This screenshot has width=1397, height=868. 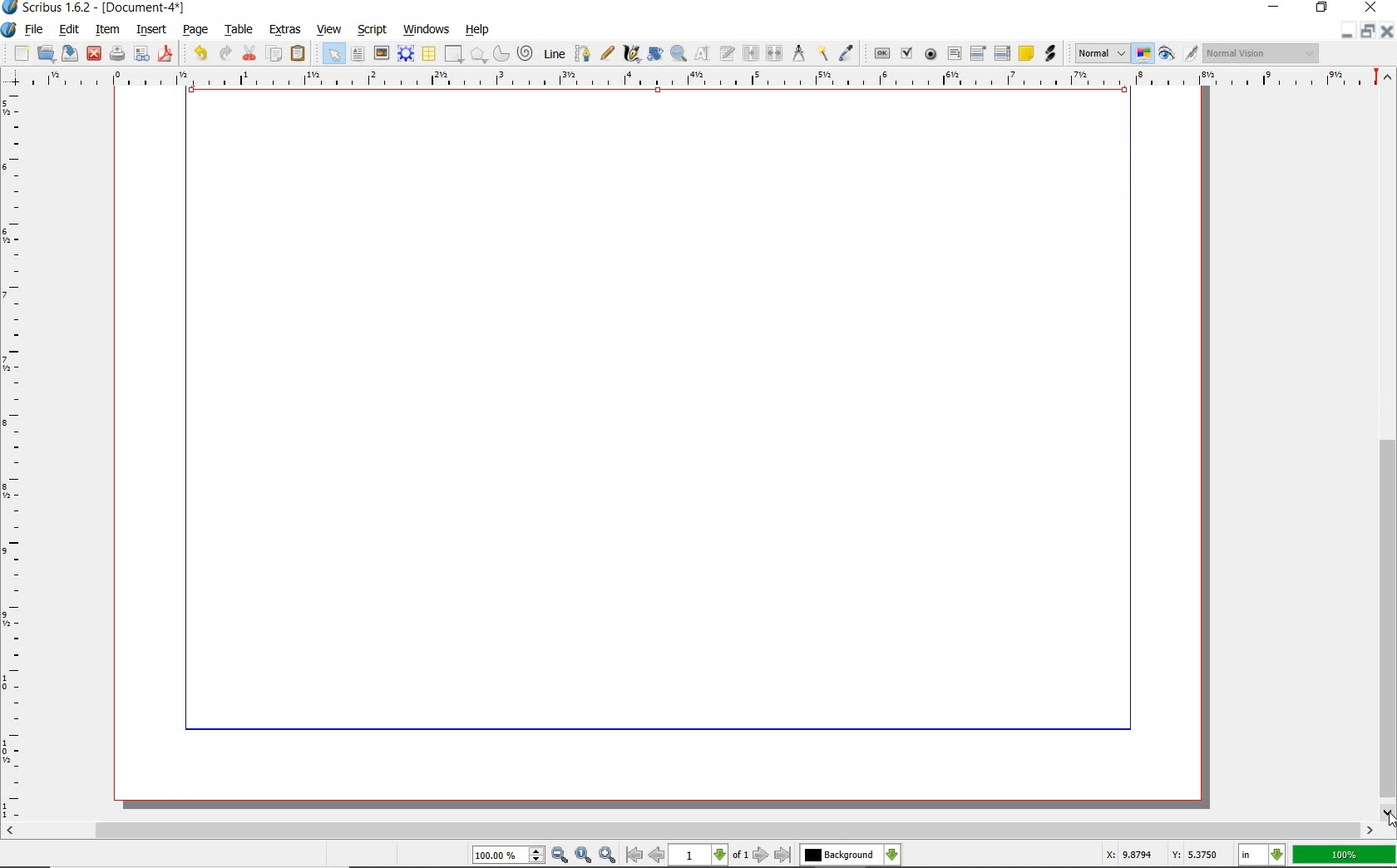 I want to click on table, so click(x=239, y=30).